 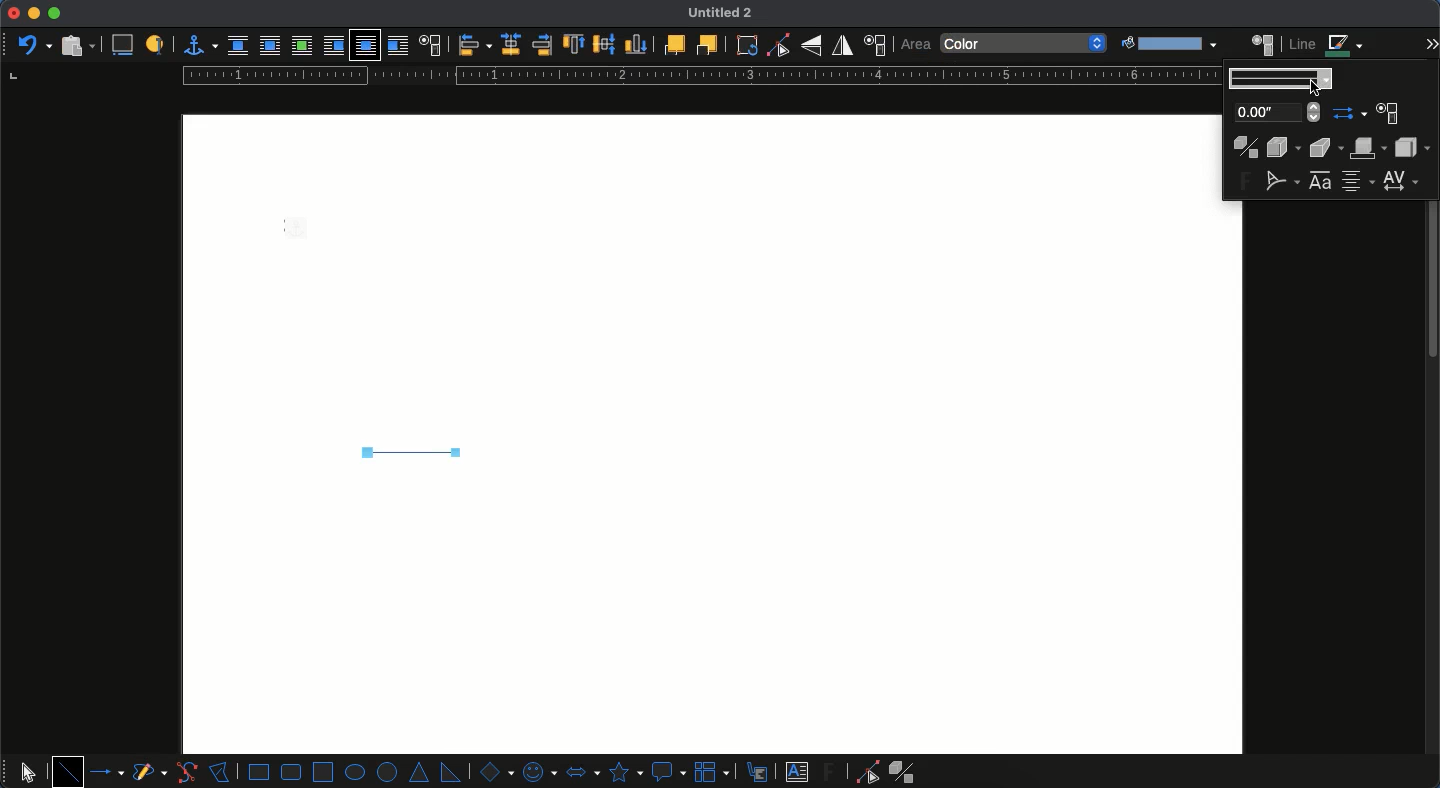 I want to click on symbol shapes, so click(x=538, y=771).